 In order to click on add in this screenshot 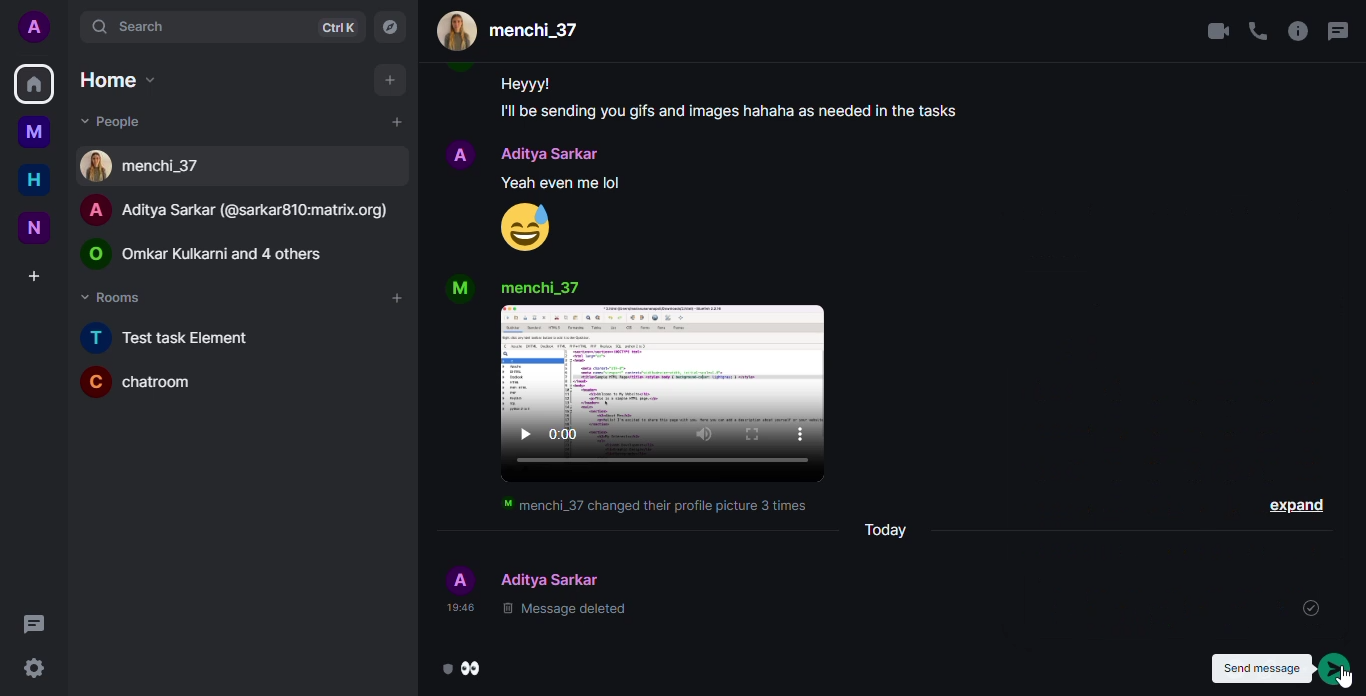, I will do `click(385, 80)`.